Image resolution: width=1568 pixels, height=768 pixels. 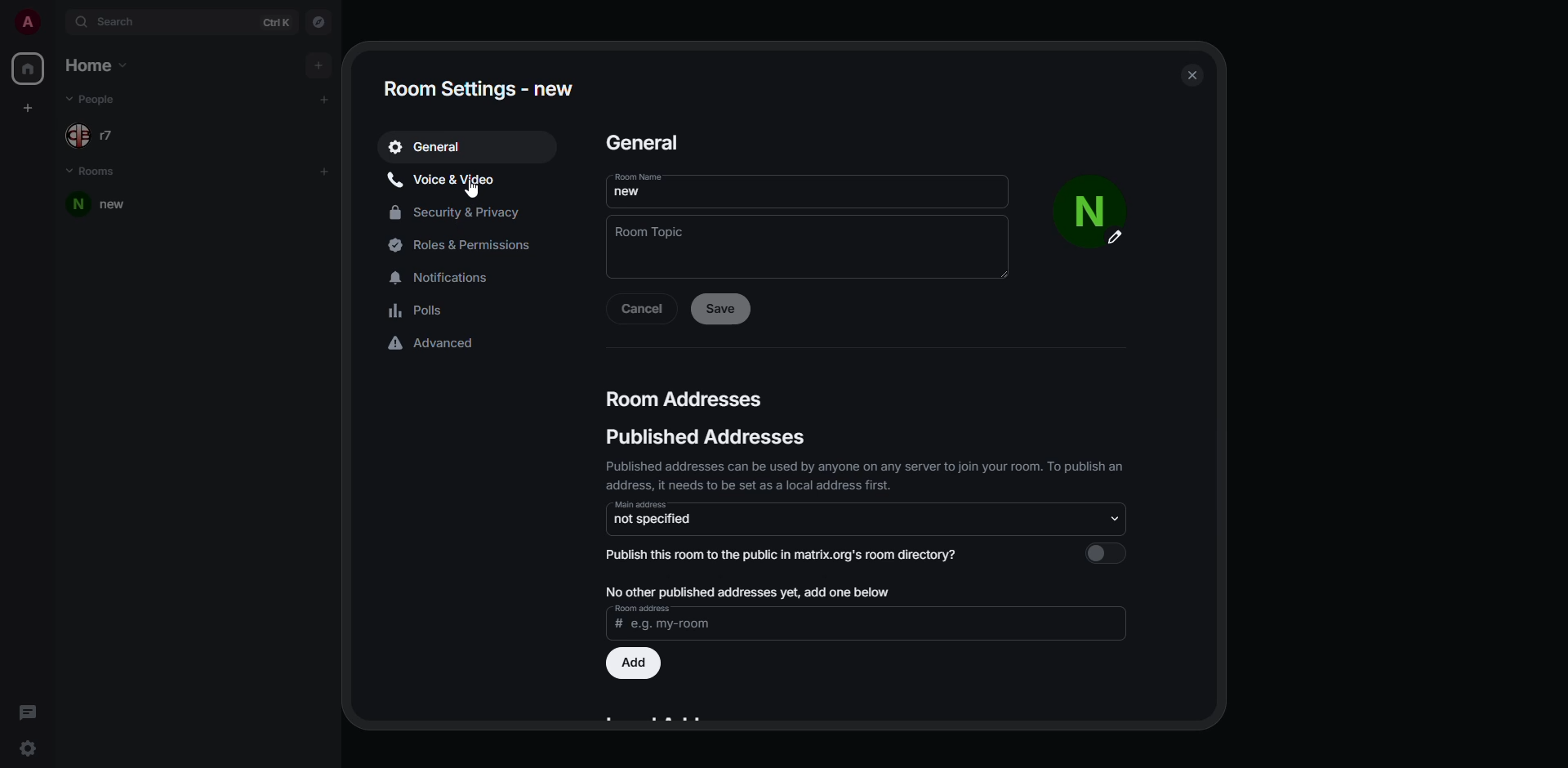 I want to click on quick settings, so click(x=30, y=749).